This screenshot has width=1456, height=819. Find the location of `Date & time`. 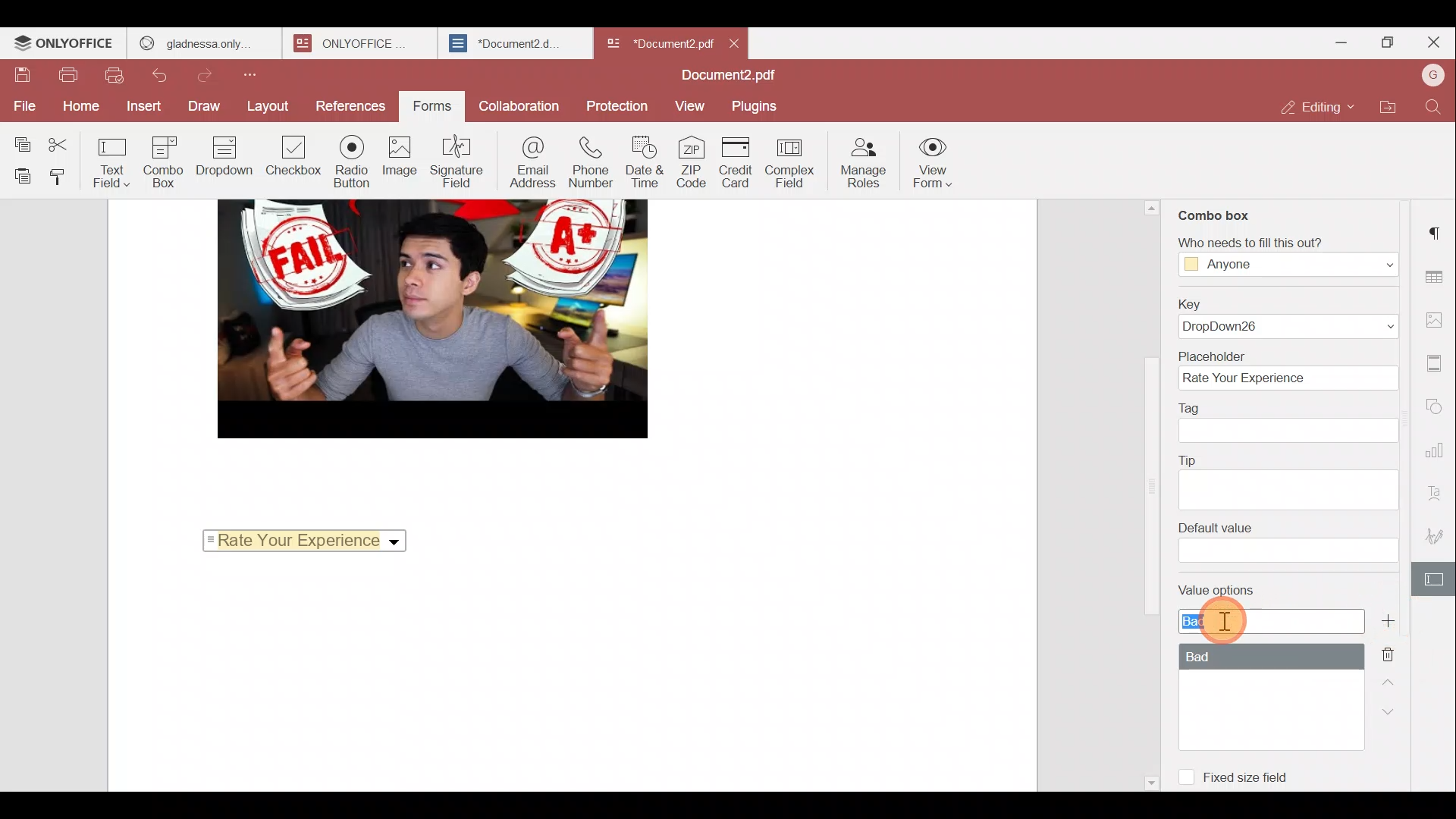

Date & time is located at coordinates (645, 165).